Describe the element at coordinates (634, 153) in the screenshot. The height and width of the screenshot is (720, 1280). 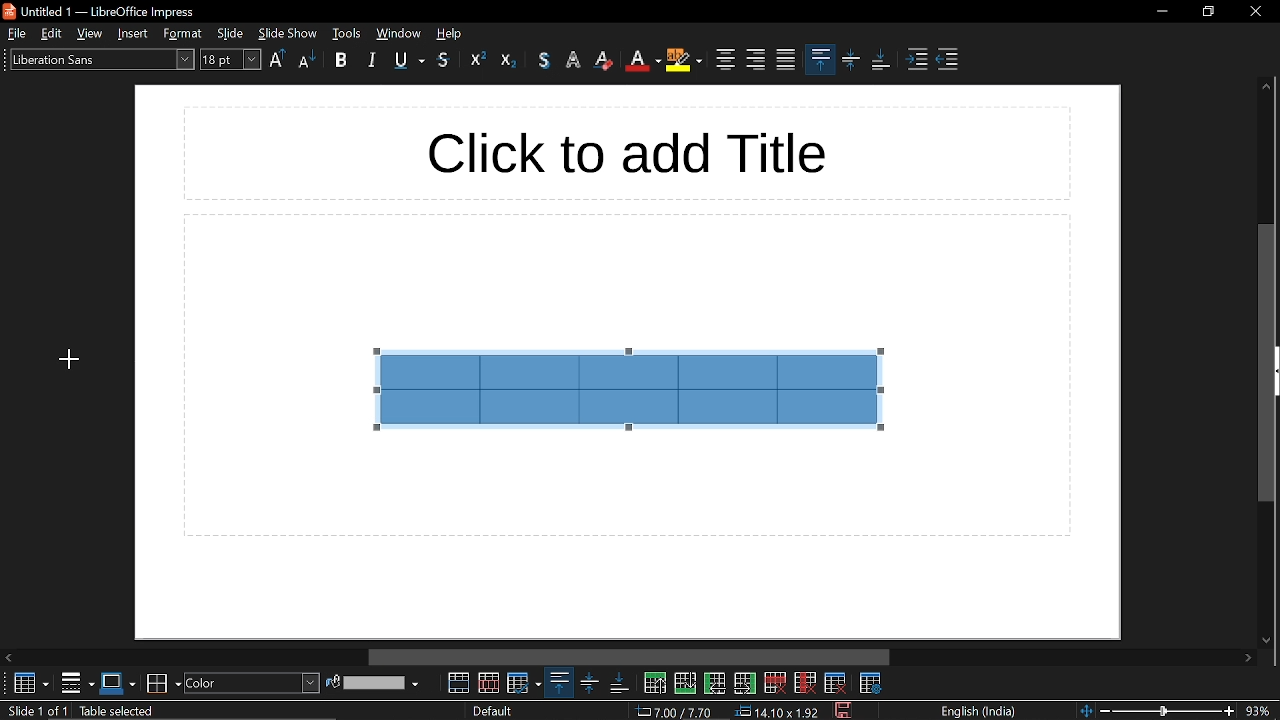
I see `click to add title` at that location.